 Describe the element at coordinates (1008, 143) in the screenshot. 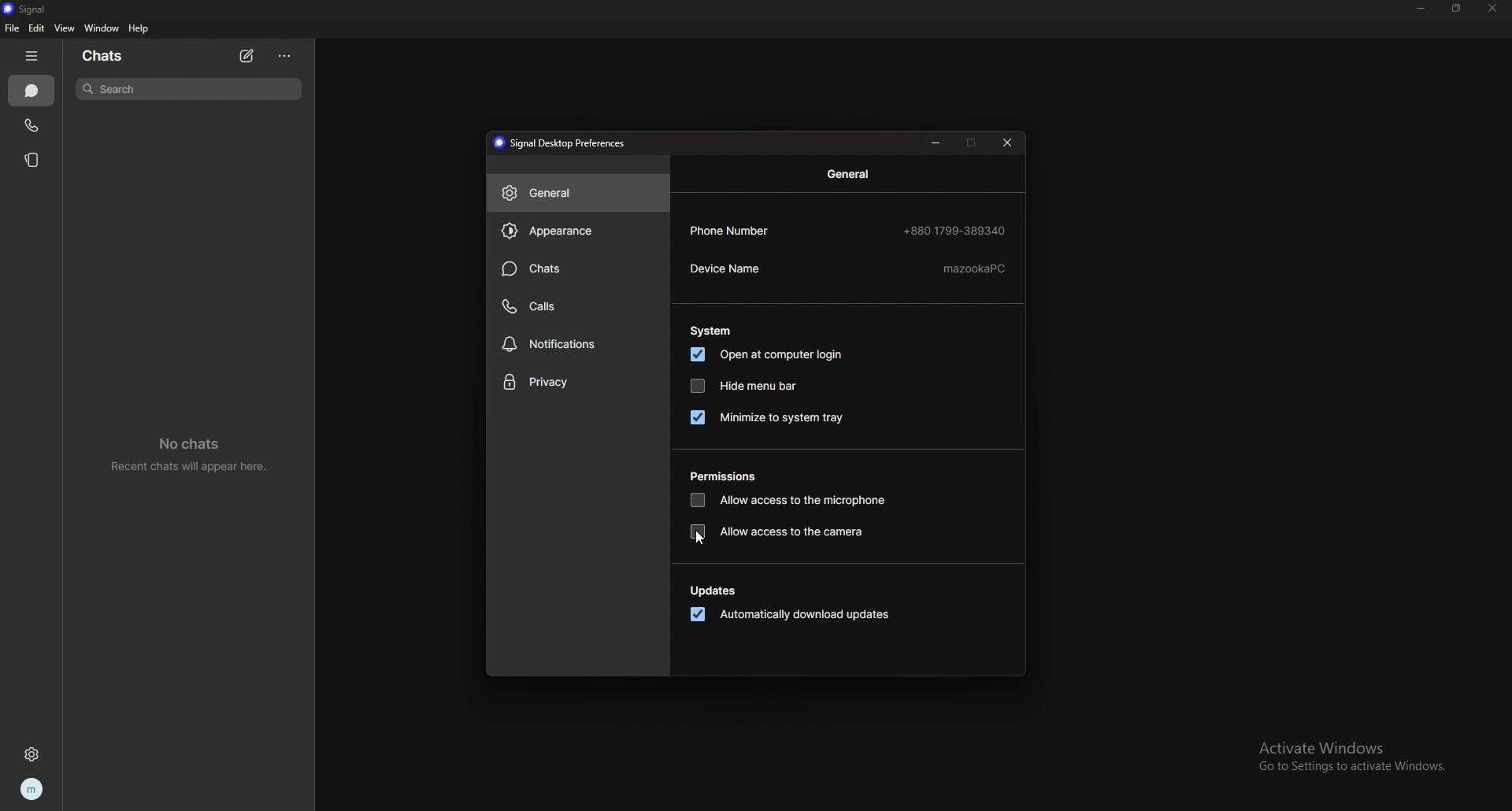

I see `close` at that location.